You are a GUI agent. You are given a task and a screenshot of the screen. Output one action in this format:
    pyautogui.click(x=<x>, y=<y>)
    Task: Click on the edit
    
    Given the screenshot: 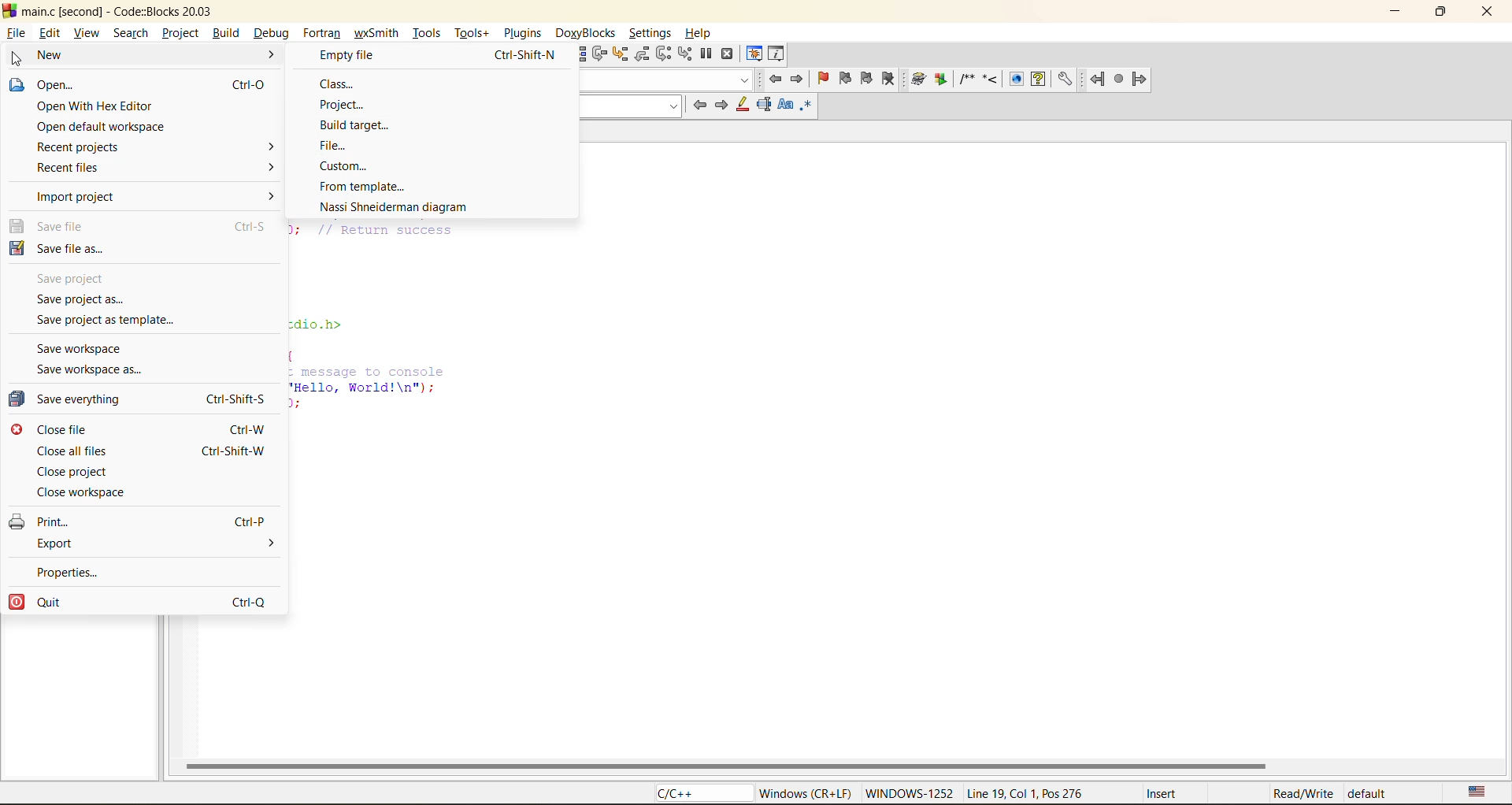 What is the action you would take?
    pyautogui.click(x=50, y=33)
    